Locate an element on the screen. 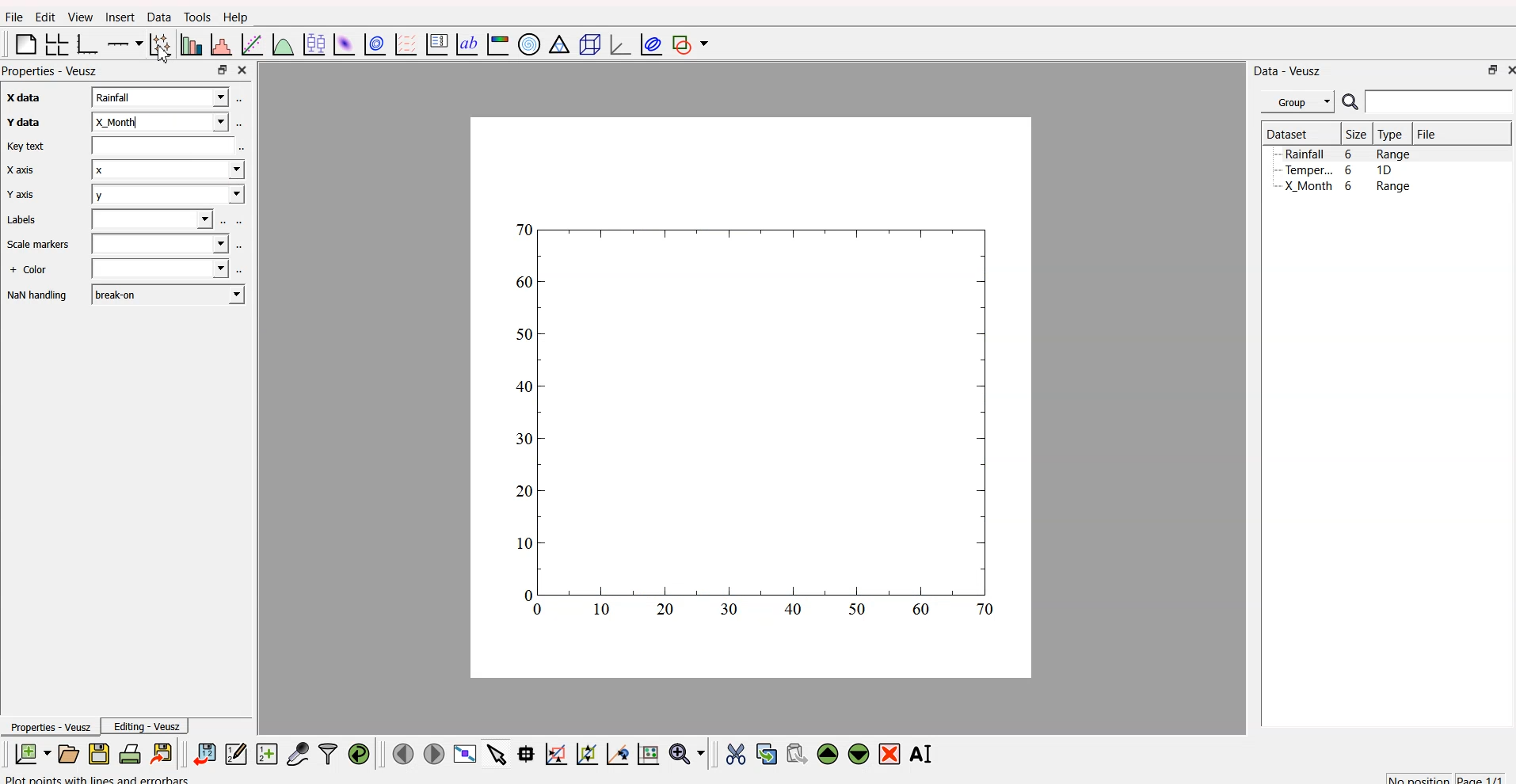 The width and height of the screenshot is (1516, 784). Edit is located at coordinates (43, 17).